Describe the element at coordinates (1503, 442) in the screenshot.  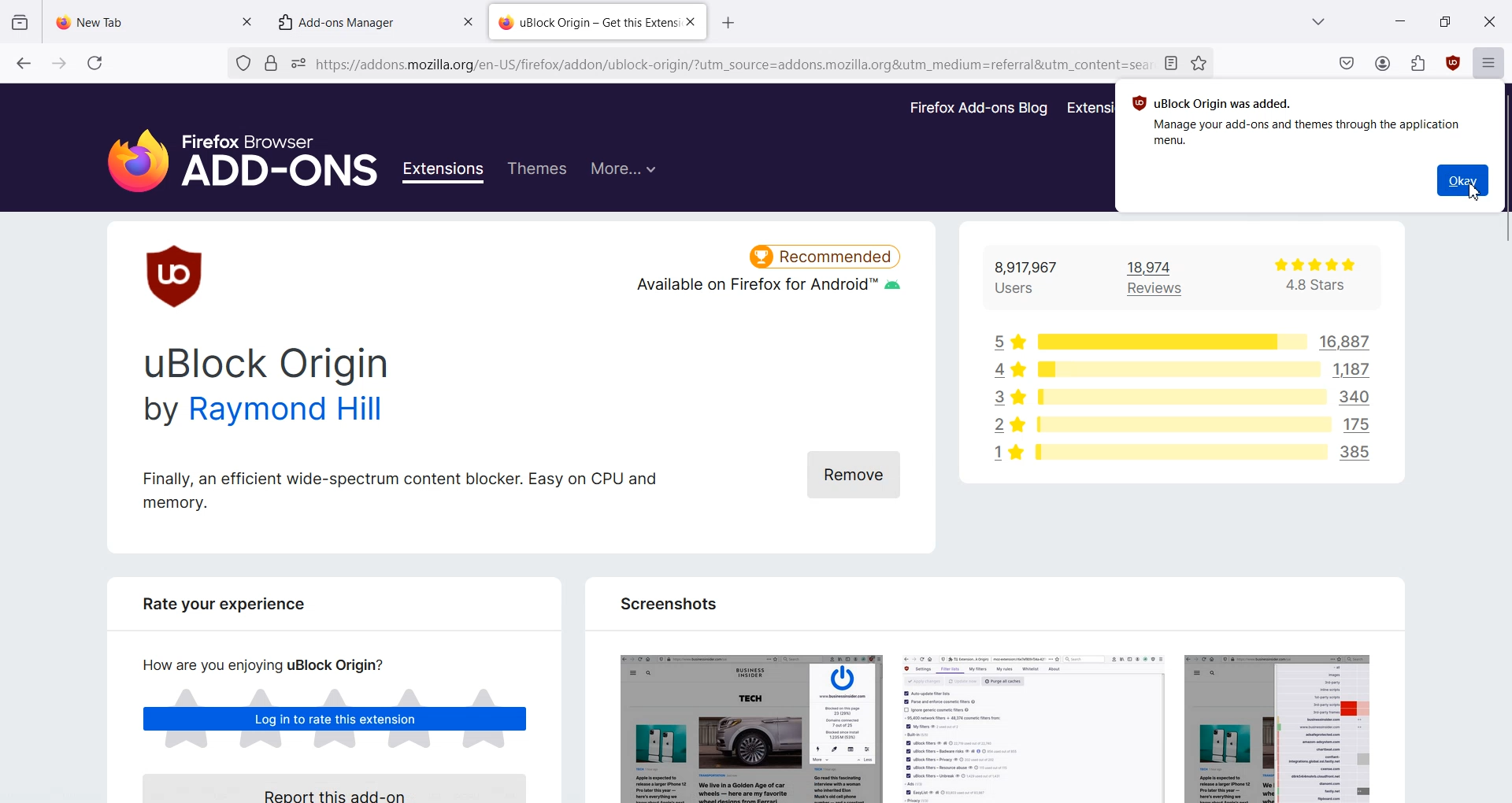
I see `Vertical scroll bar` at that location.